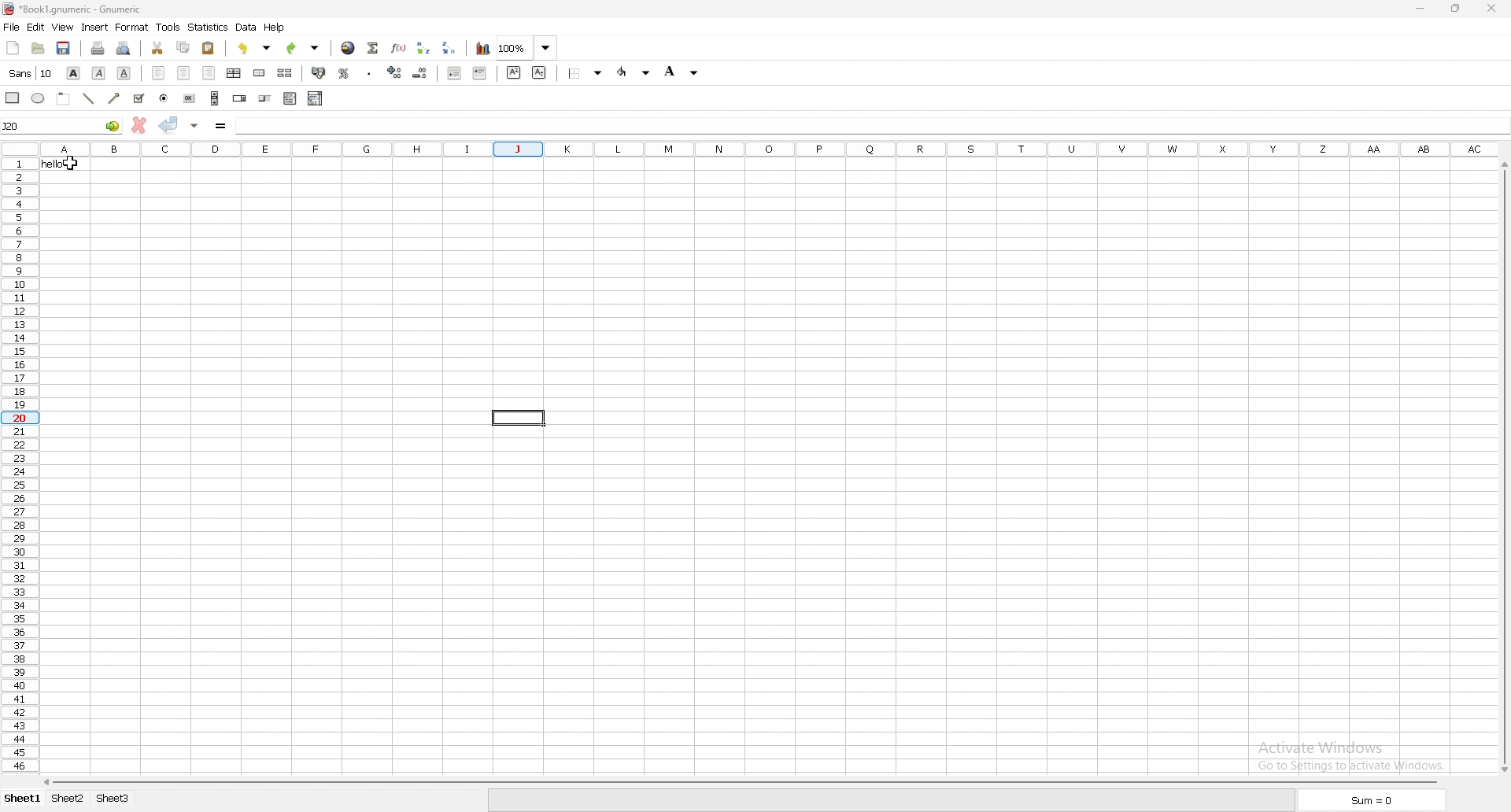 Image resolution: width=1511 pixels, height=812 pixels. What do you see at coordinates (19, 467) in the screenshot?
I see `row` at bounding box center [19, 467].